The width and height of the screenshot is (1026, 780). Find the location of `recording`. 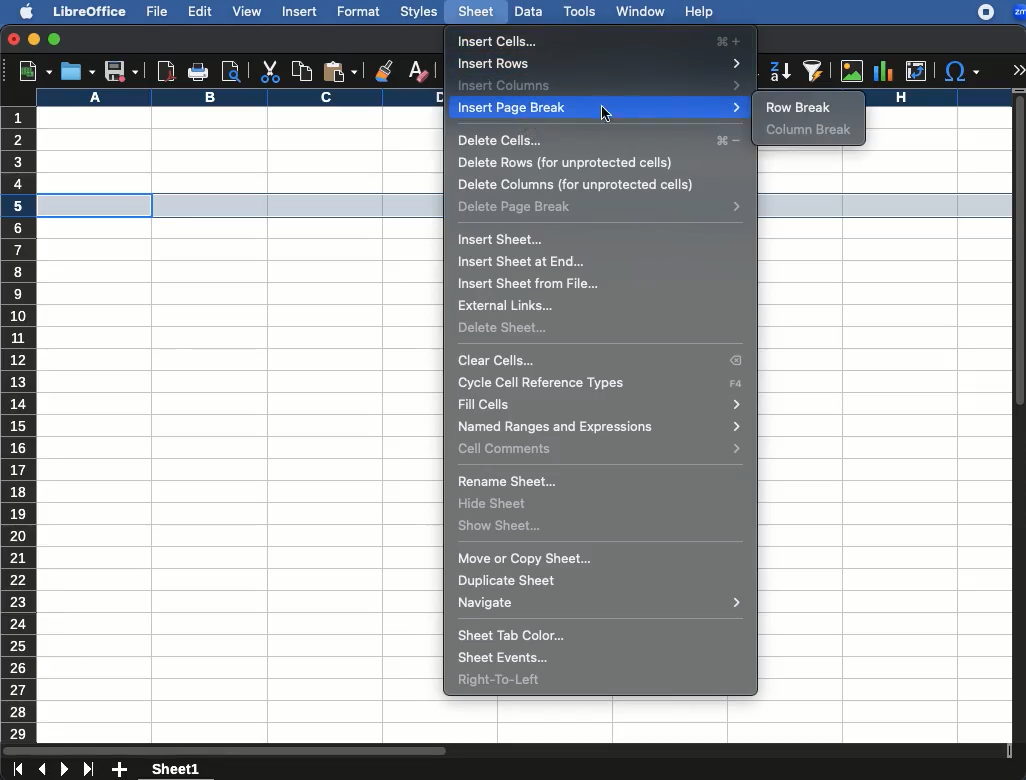

recording is located at coordinates (980, 13).